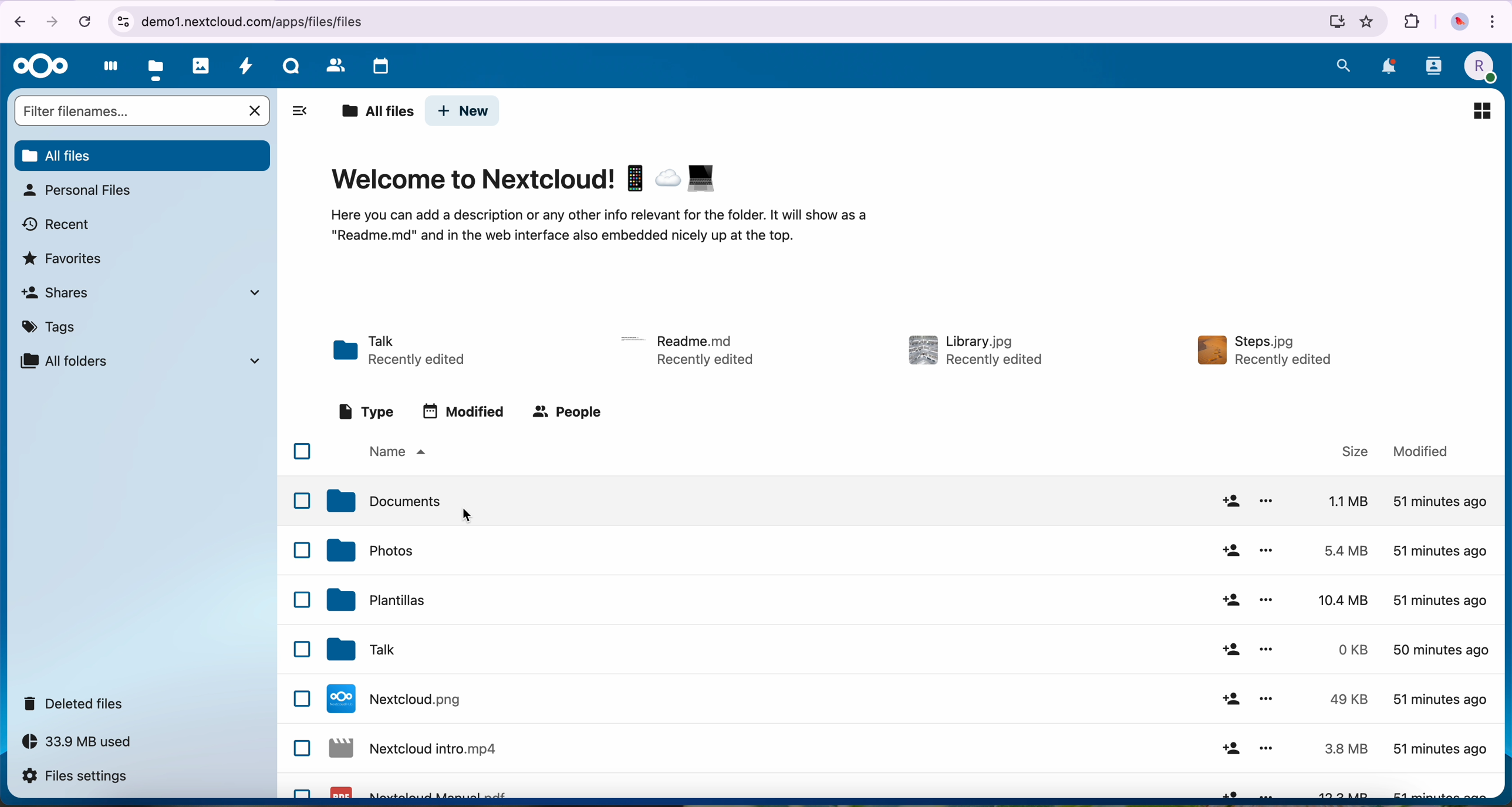  I want to click on tags, so click(53, 325).